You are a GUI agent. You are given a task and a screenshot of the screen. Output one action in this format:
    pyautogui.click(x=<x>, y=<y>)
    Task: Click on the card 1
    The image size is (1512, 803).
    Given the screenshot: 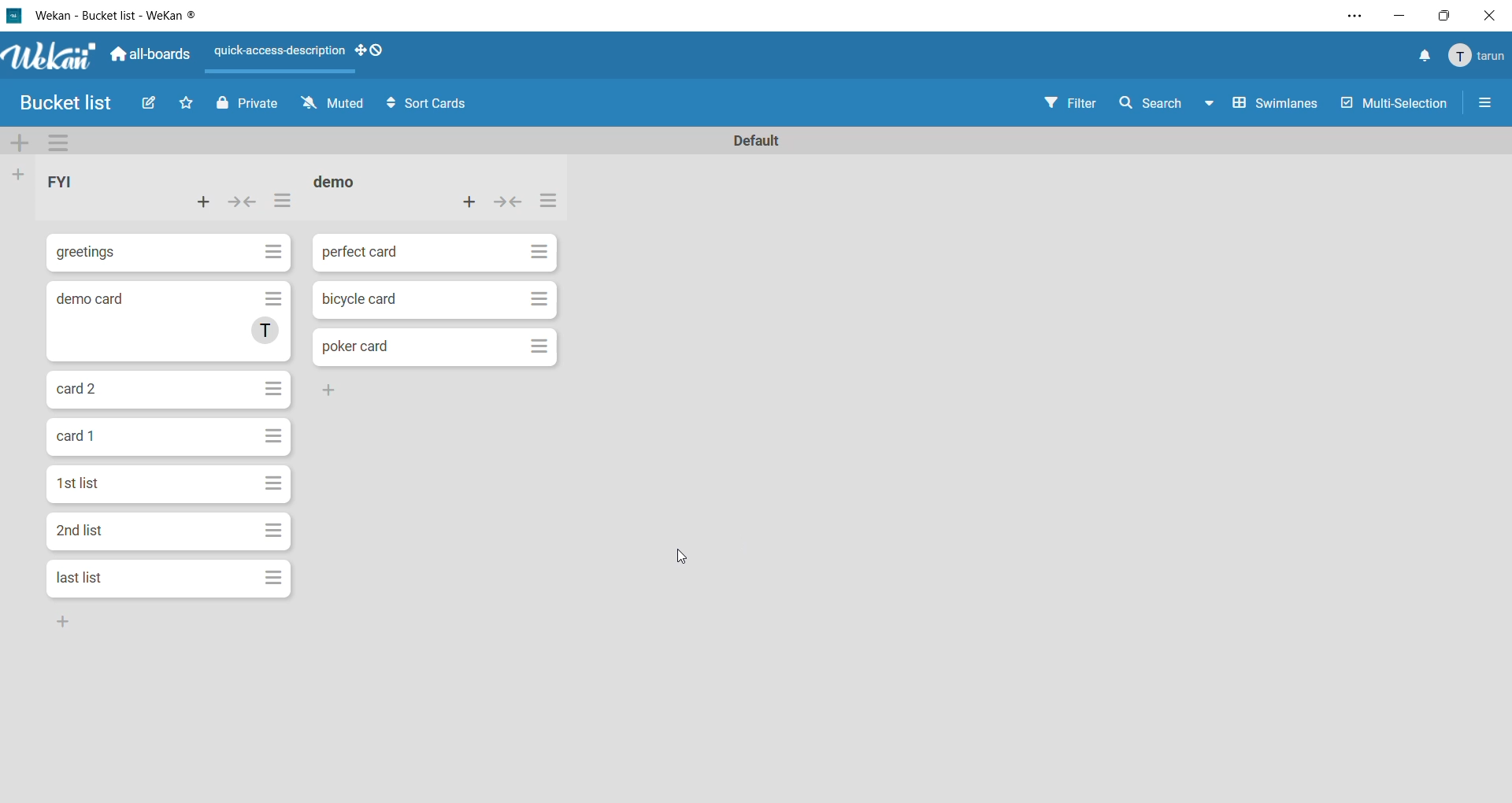 What is the action you would take?
    pyautogui.click(x=168, y=438)
    